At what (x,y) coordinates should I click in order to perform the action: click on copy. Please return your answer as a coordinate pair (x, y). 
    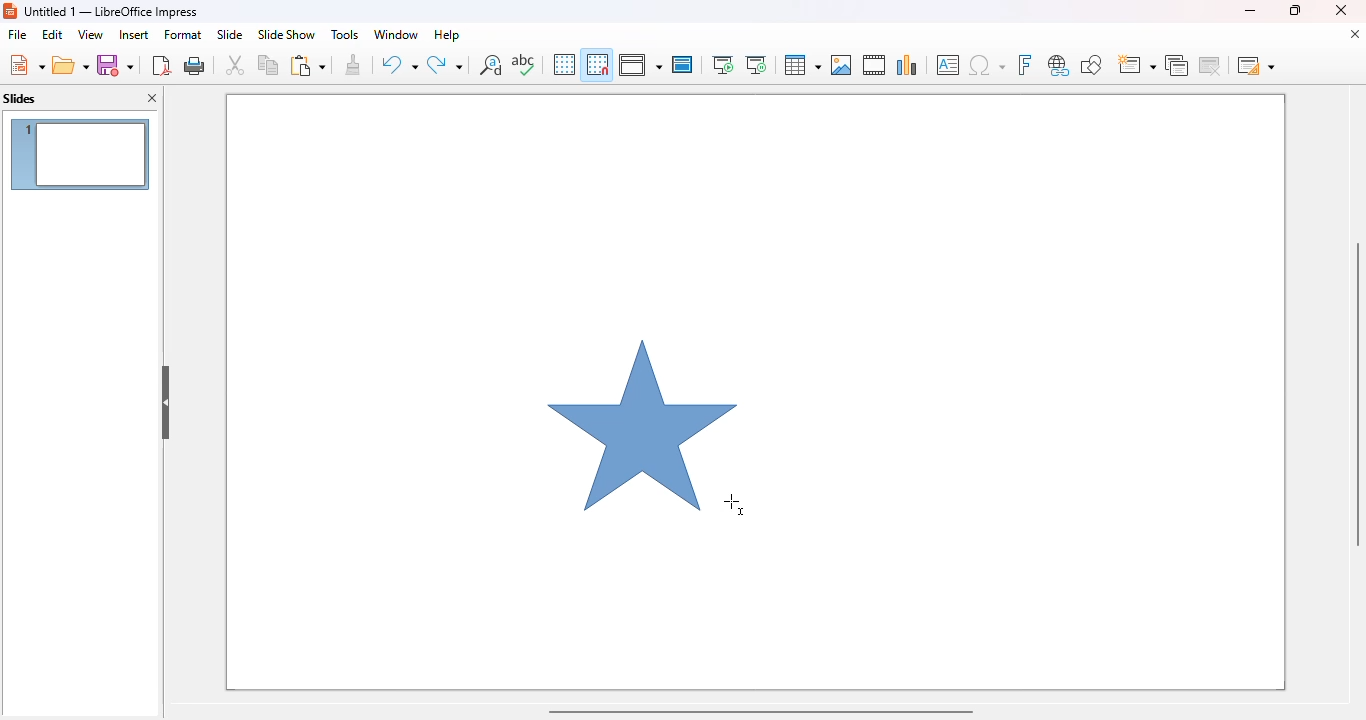
    Looking at the image, I should click on (268, 64).